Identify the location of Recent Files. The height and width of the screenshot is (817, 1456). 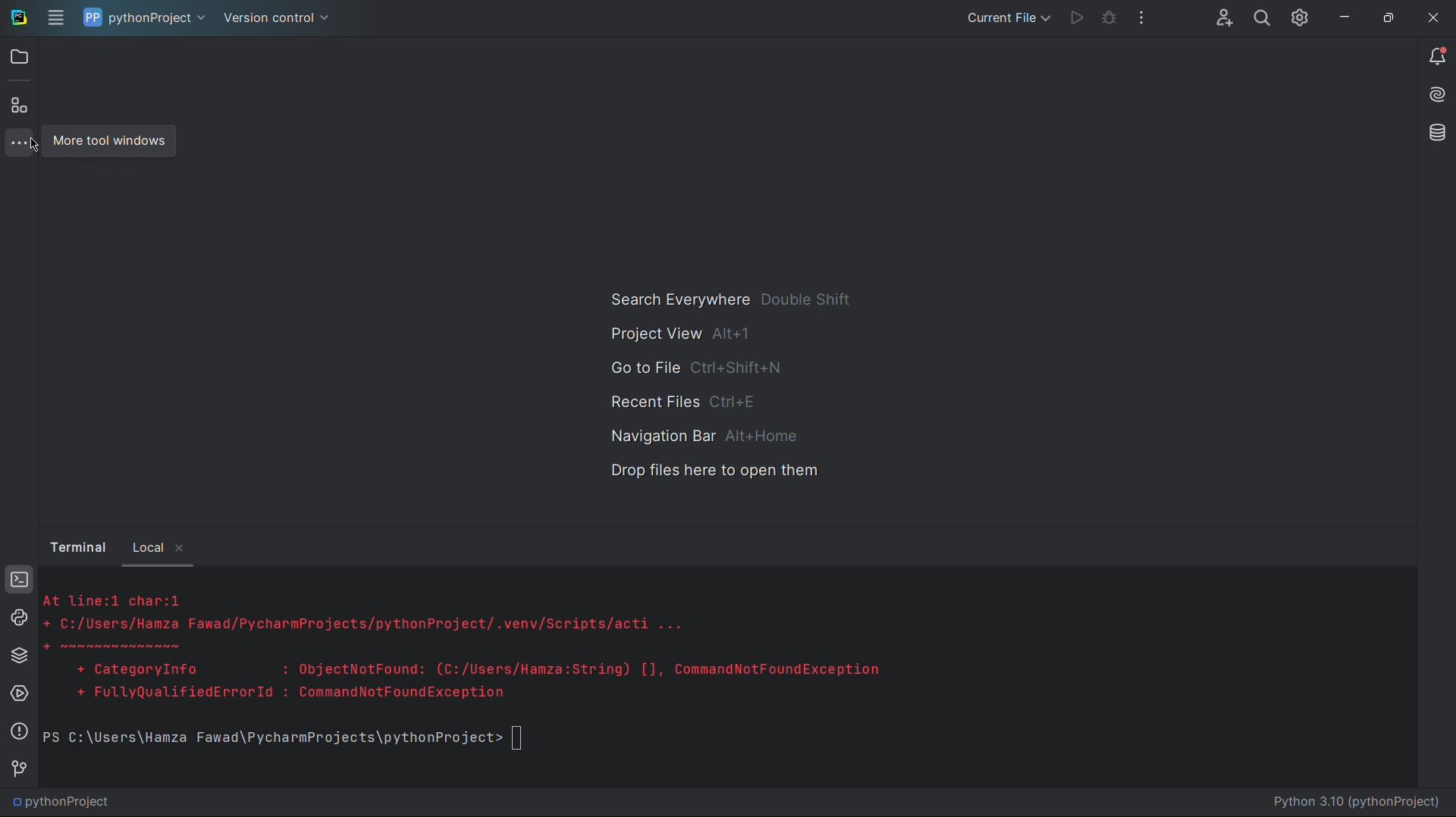
(685, 403).